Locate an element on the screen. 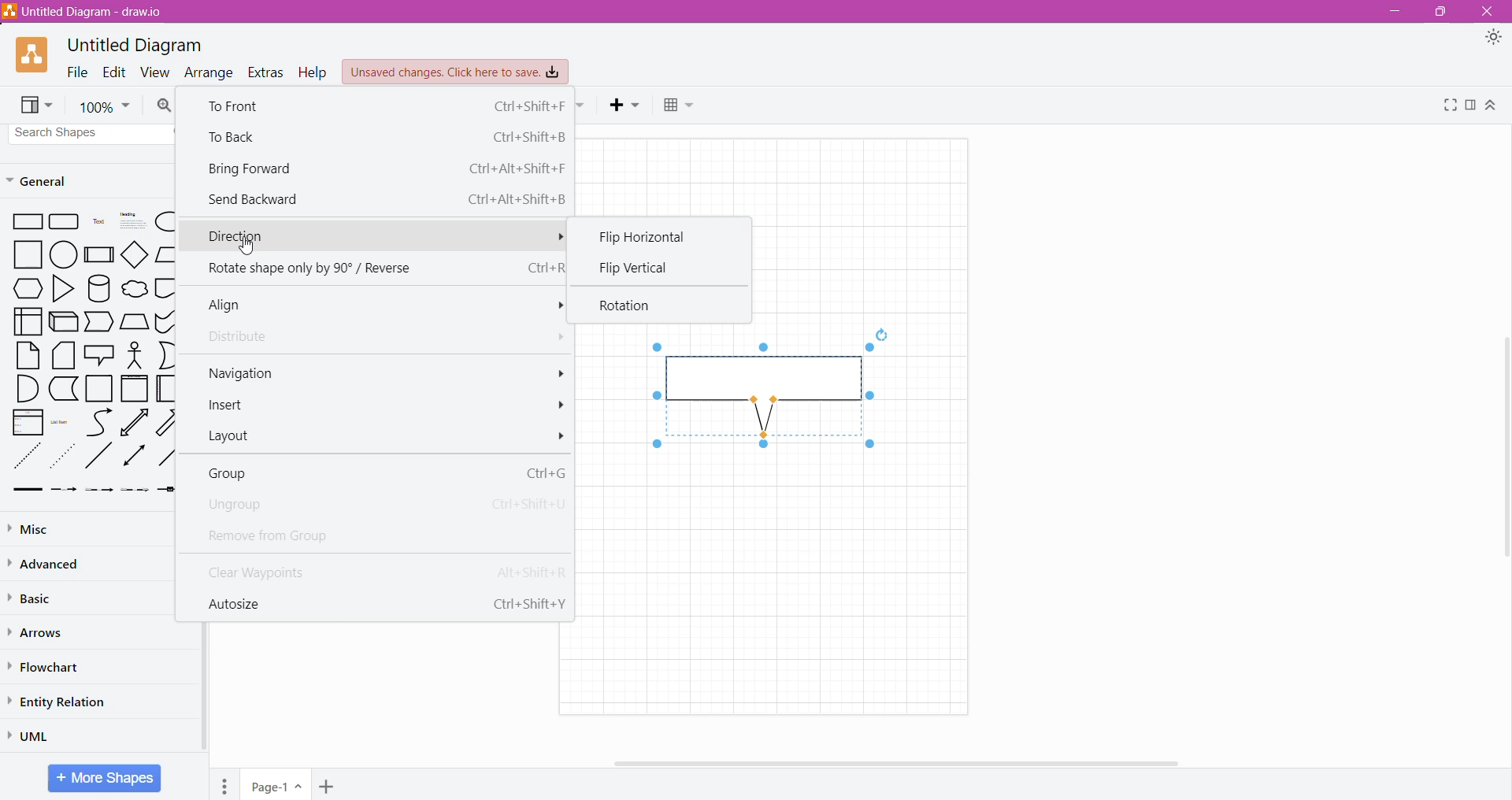 The image size is (1512, 800). Distribute is located at coordinates (244, 338).